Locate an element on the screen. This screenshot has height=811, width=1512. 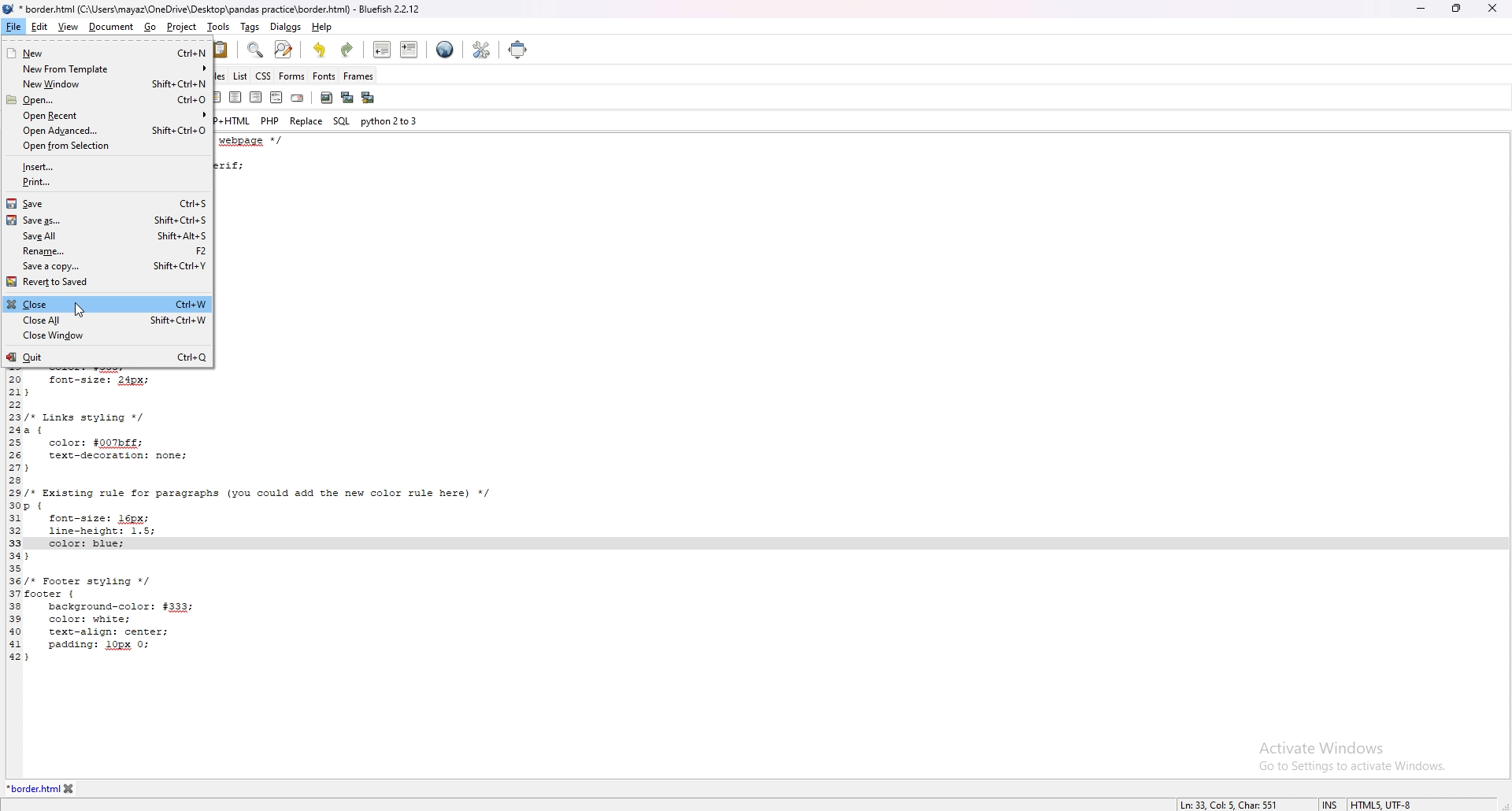
help is located at coordinates (321, 27).